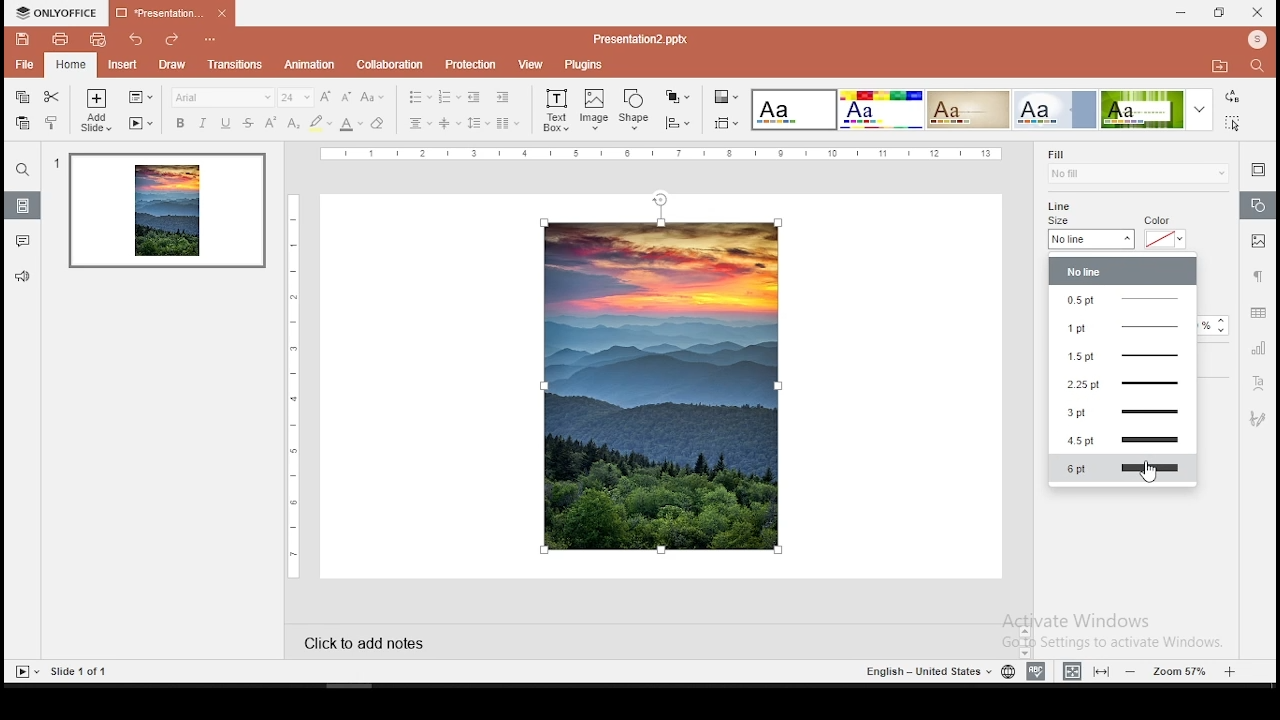  Describe the element at coordinates (448, 96) in the screenshot. I see `numbering` at that location.